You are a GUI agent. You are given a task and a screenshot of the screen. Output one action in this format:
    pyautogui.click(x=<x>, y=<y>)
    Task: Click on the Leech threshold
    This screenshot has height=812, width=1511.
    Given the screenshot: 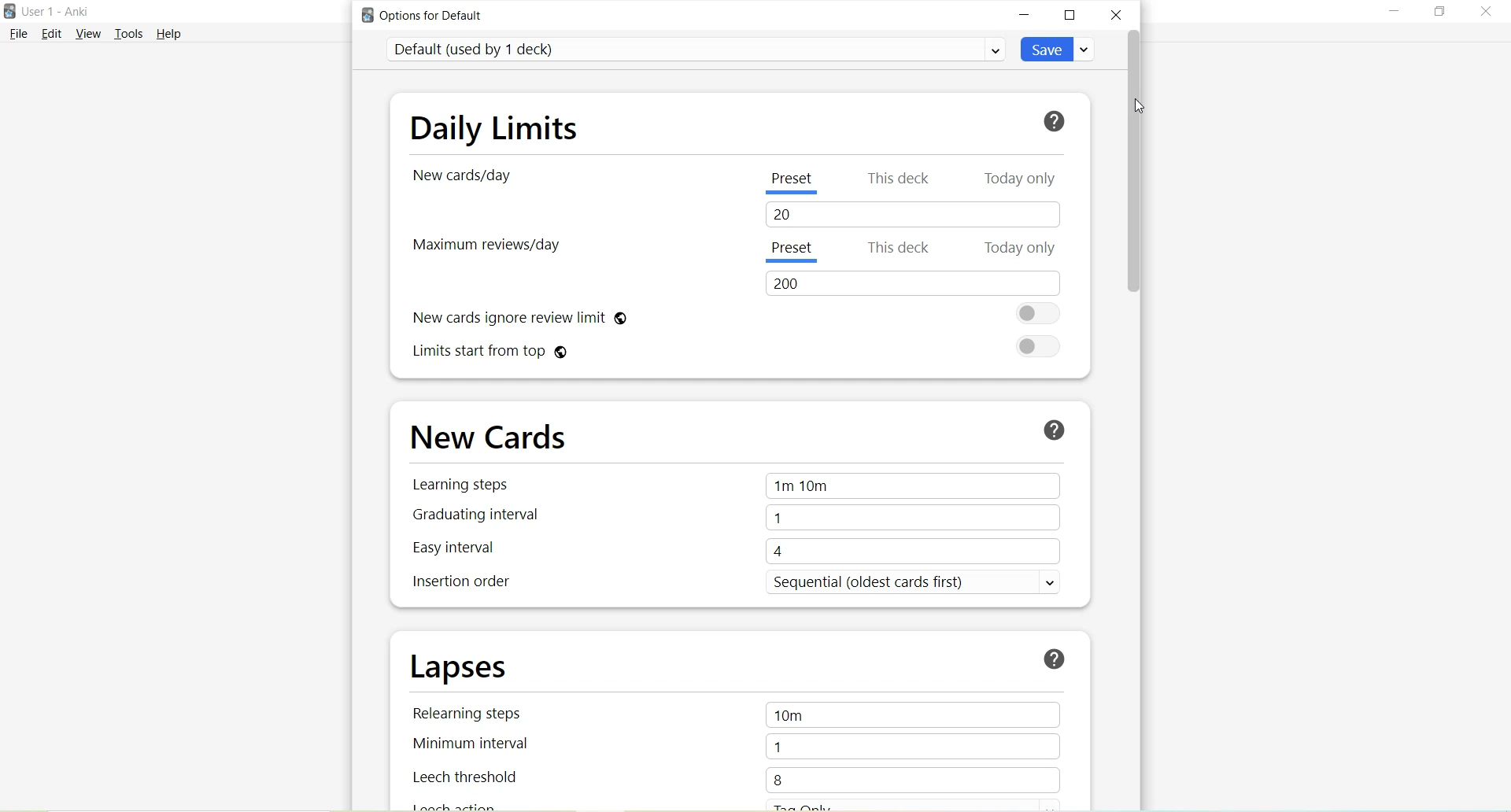 What is the action you would take?
    pyautogui.click(x=470, y=777)
    